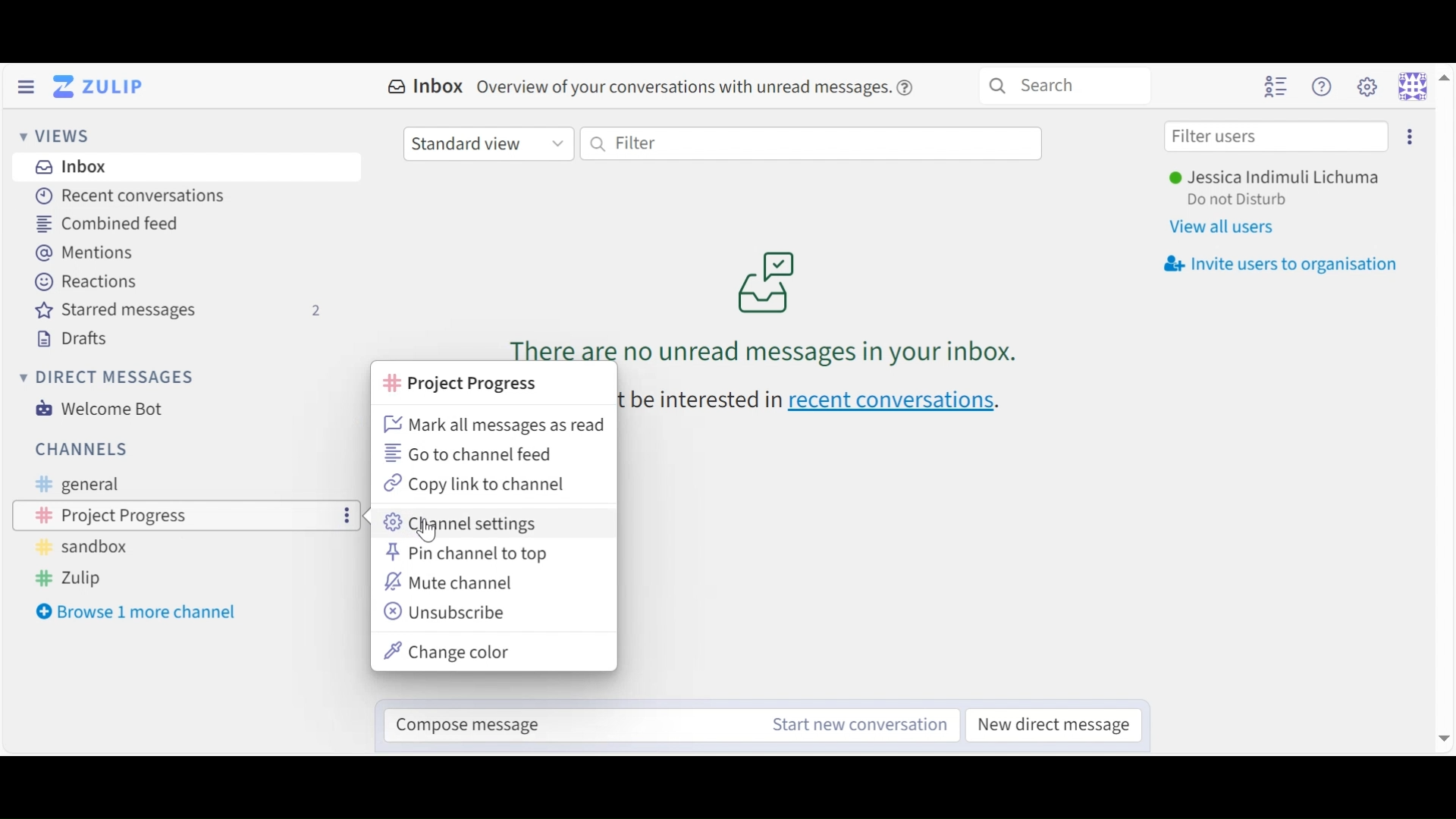  Describe the element at coordinates (457, 582) in the screenshot. I see `Mute channel` at that location.